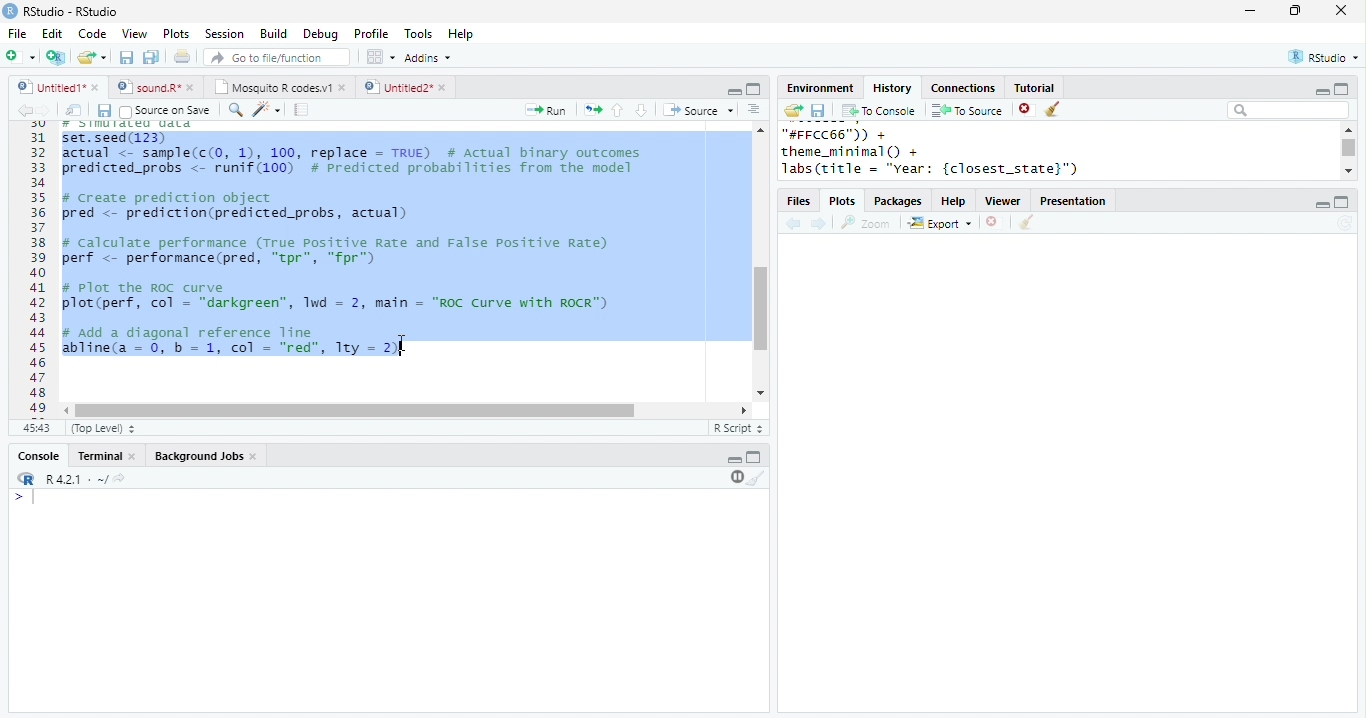 The height and width of the screenshot is (718, 1366). Describe the element at coordinates (234, 343) in the screenshot. I see `# Add a diagonal reference line
abline(a = 0, b = 1, col = "red", Try = 2)` at that location.